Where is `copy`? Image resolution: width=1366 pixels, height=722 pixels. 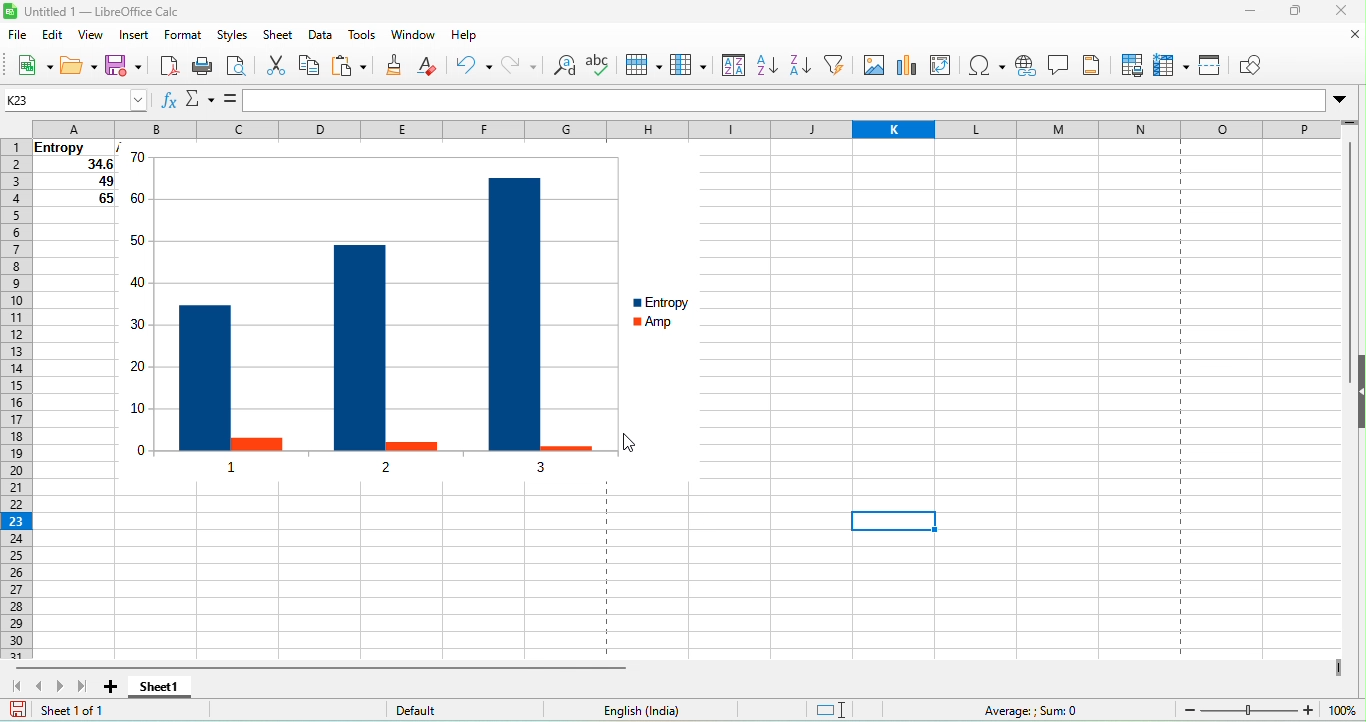
copy is located at coordinates (312, 66).